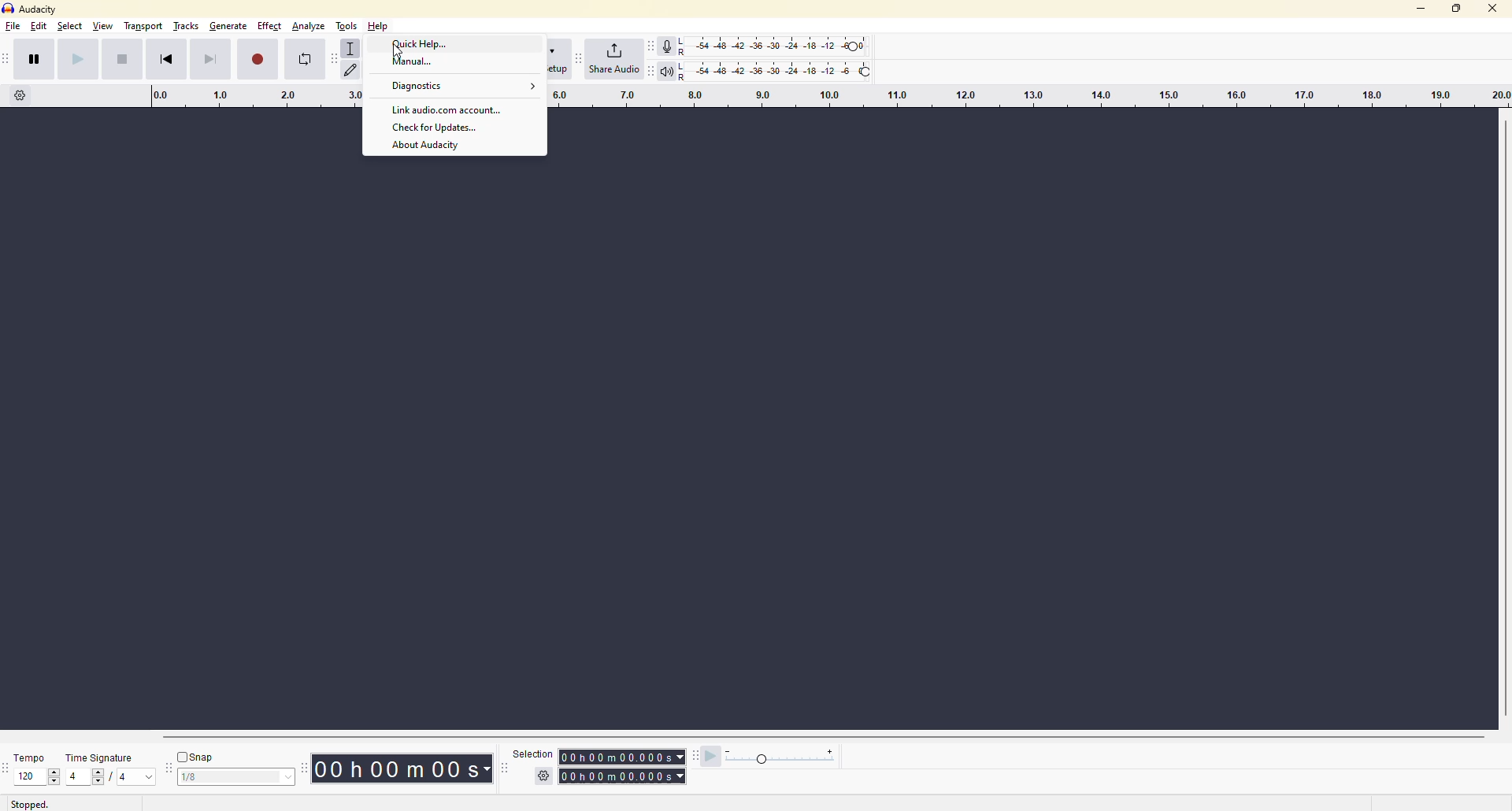 The width and height of the screenshot is (1512, 811). What do you see at coordinates (824, 734) in the screenshot?
I see `horizontal scrollbar` at bounding box center [824, 734].